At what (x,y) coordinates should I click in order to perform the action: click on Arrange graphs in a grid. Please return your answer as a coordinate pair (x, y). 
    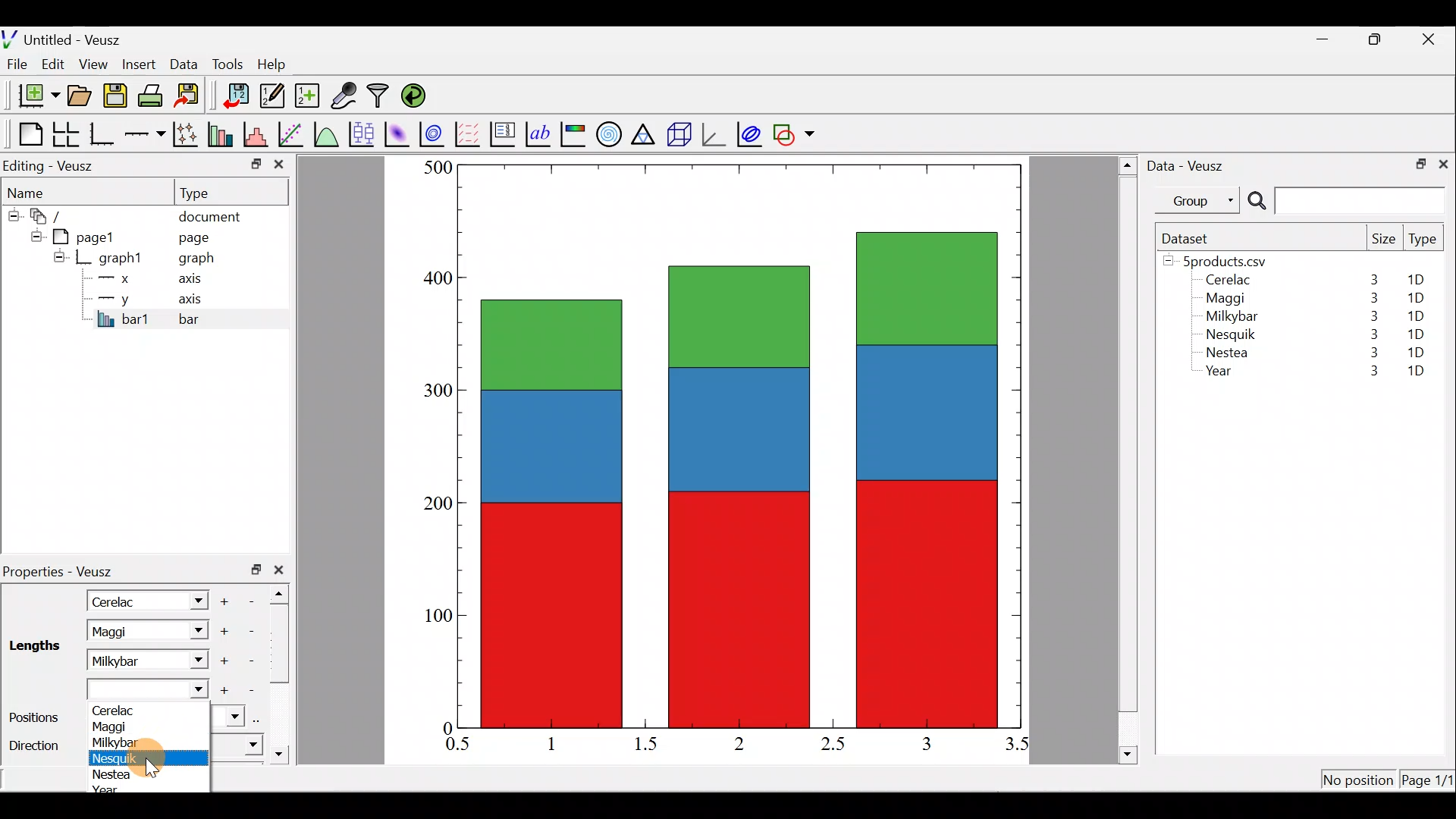
    Looking at the image, I should click on (65, 134).